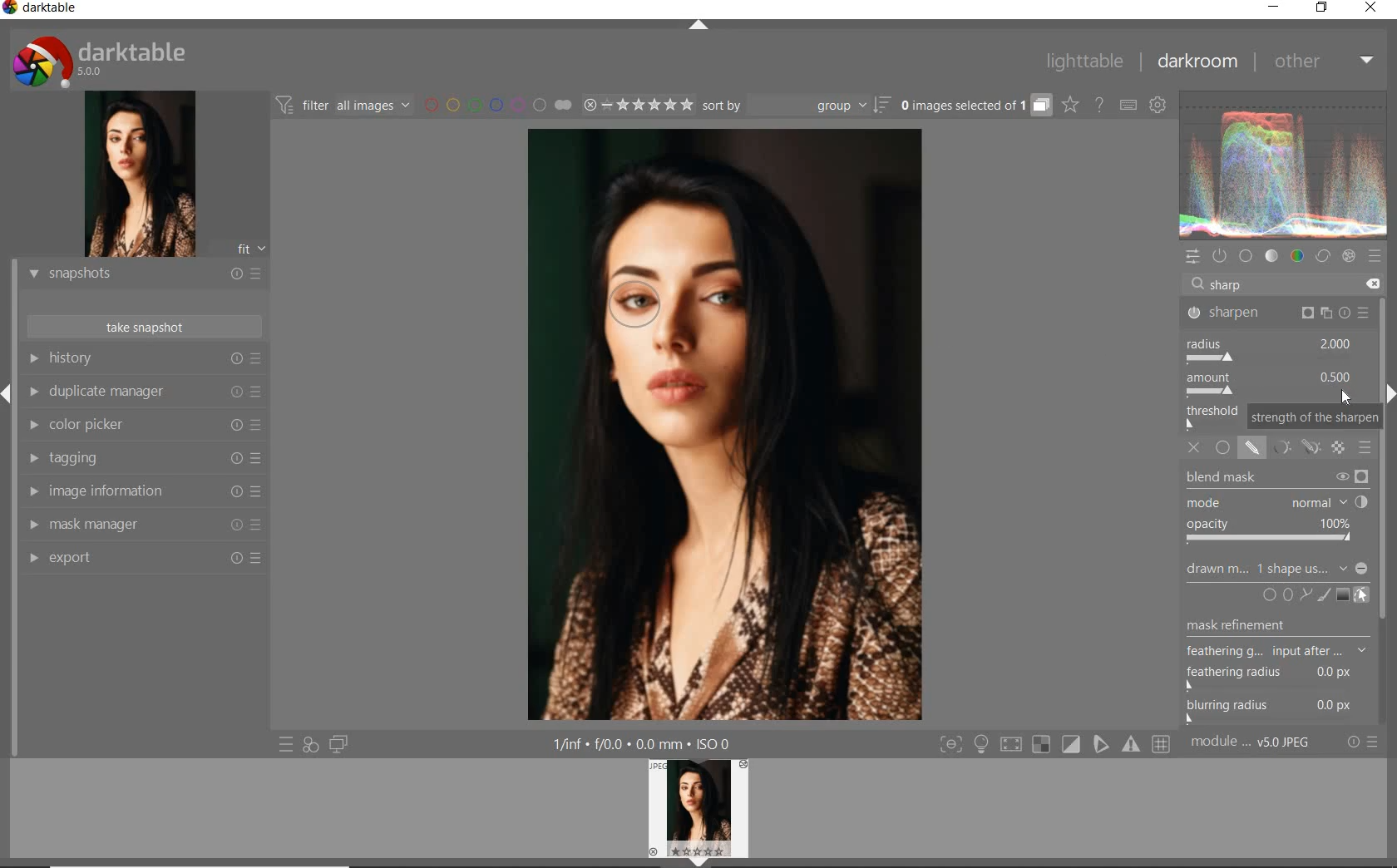 Image resolution: width=1397 pixels, height=868 pixels. Describe the element at coordinates (310, 745) in the screenshot. I see `quick access for applying any of your styles` at that location.